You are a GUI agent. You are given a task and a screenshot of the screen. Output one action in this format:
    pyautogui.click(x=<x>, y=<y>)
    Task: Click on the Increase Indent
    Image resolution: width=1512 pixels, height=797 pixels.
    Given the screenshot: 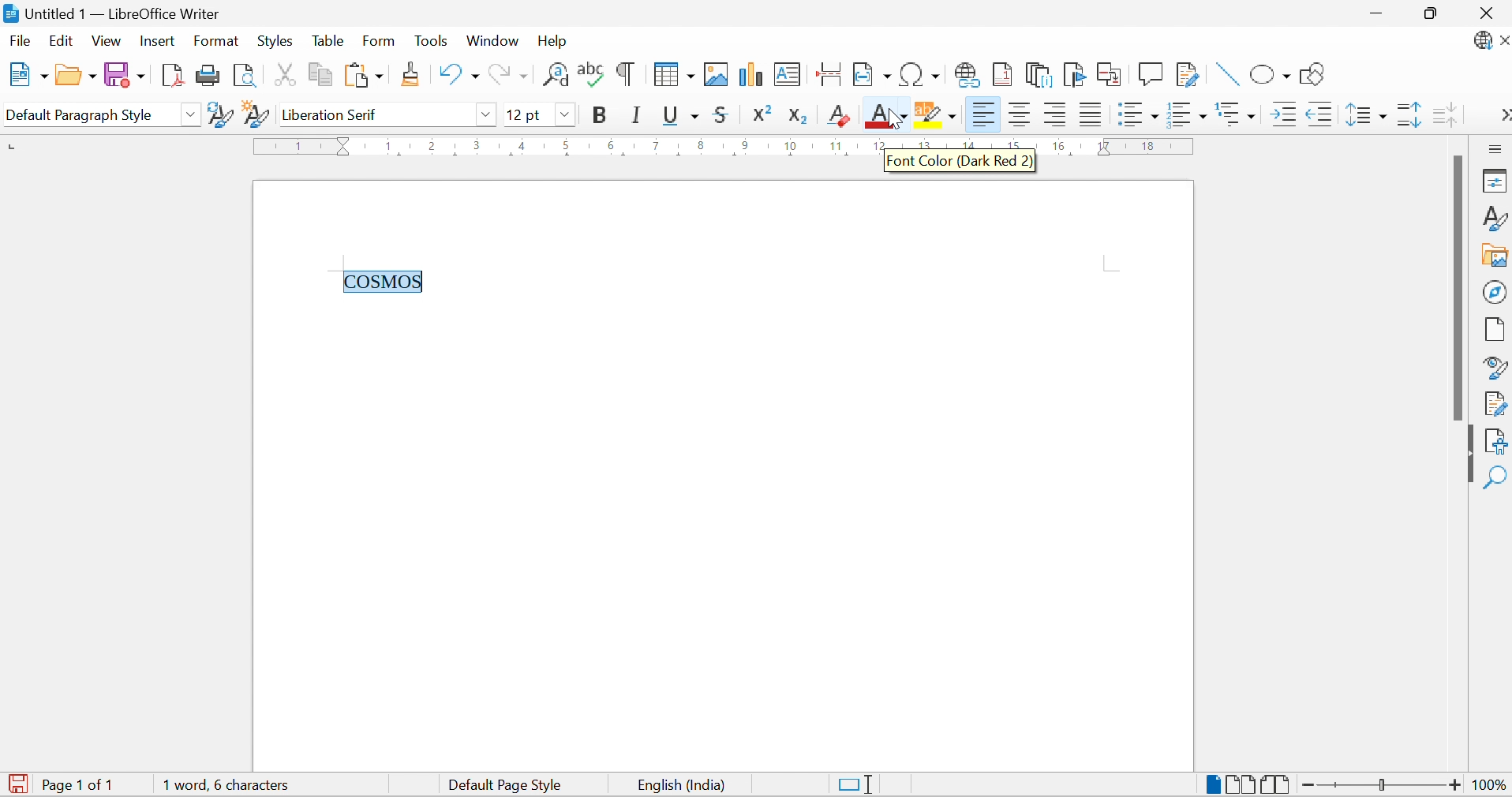 What is the action you would take?
    pyautogui.click(x=1281, y=114)
    